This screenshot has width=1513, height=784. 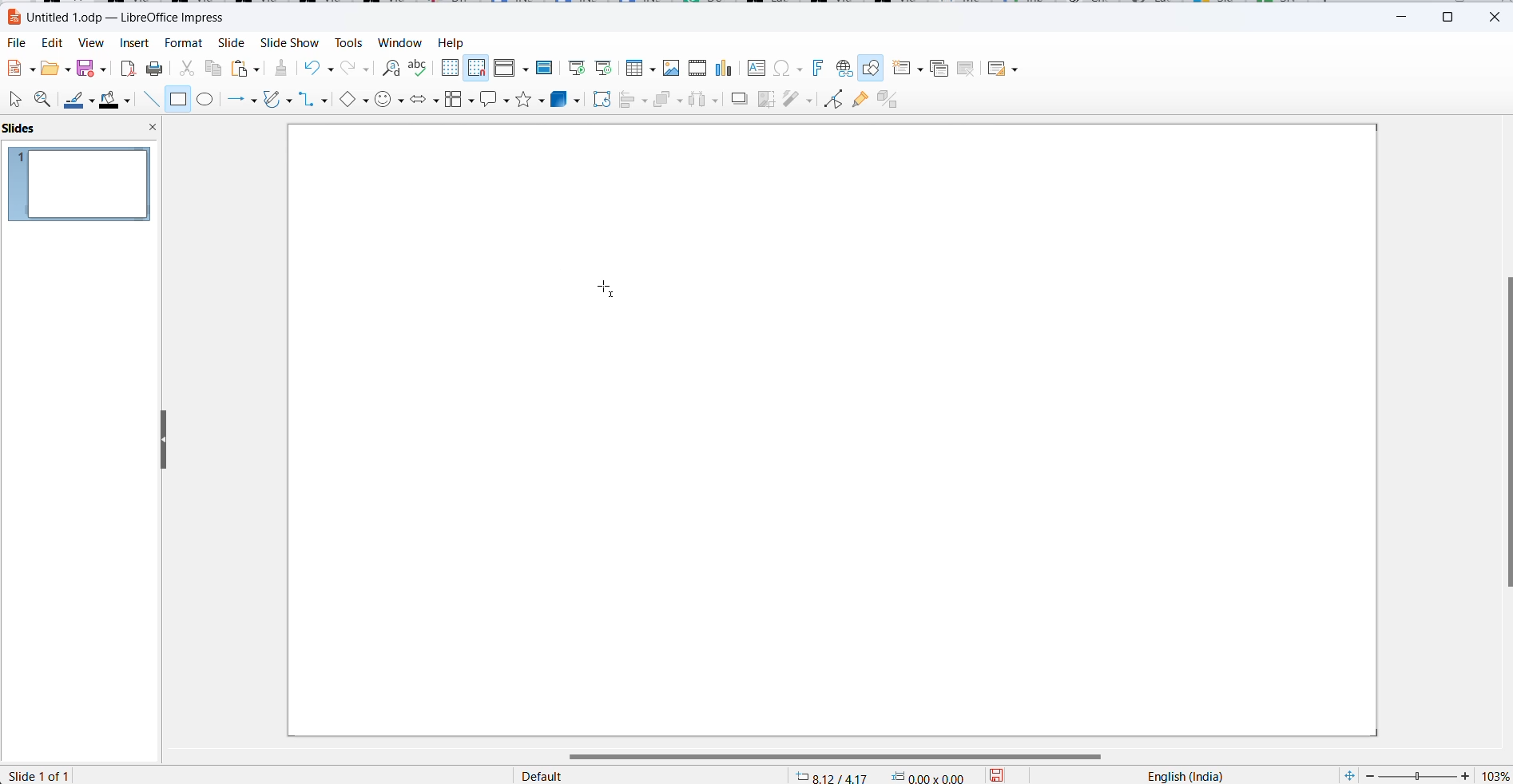 What do you see at coordinates (400, 44) in the screenshot?
I see `Window` at bounding box center [400, 44].